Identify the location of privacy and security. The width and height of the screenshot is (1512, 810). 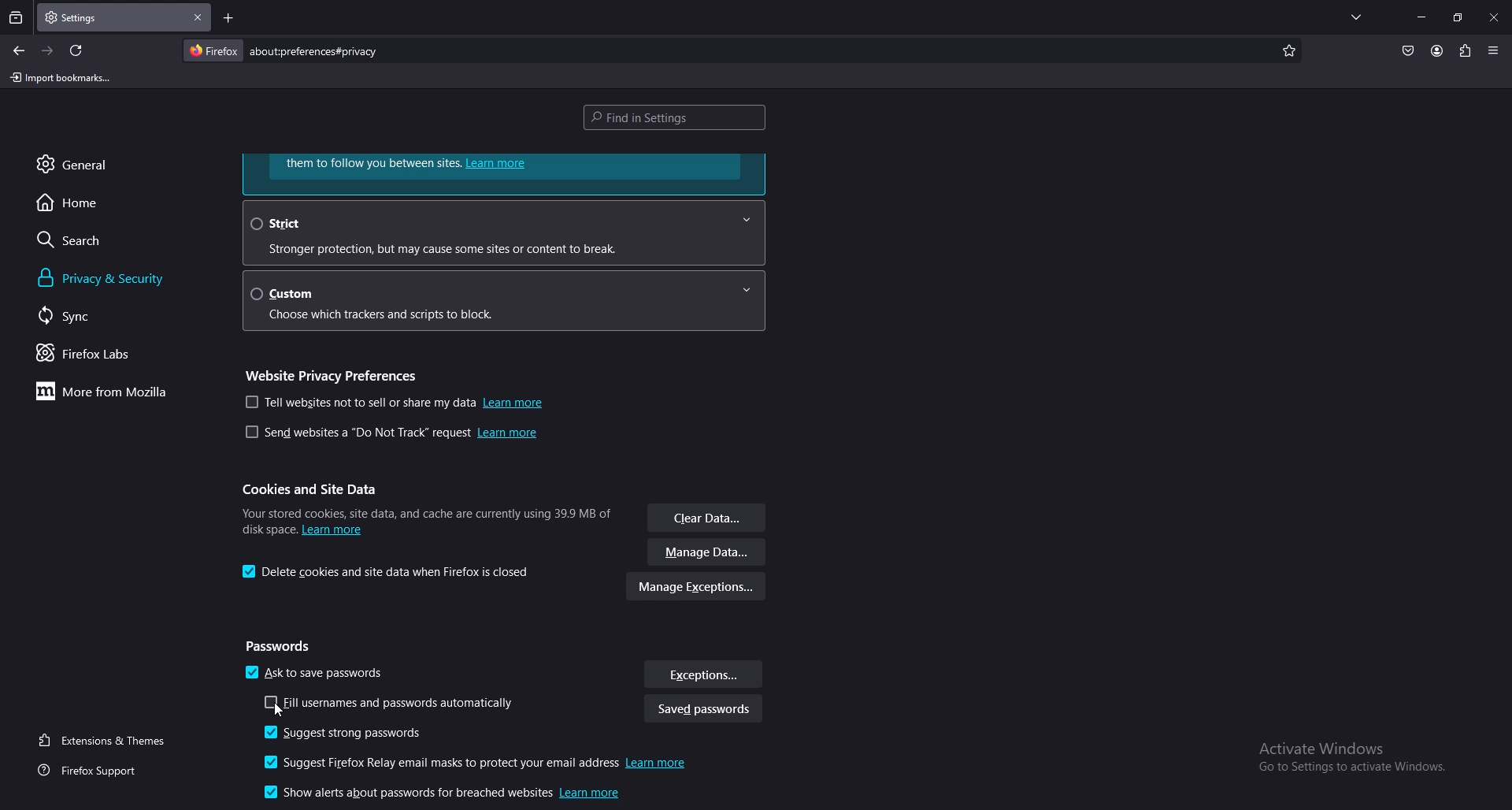
(128, 278).